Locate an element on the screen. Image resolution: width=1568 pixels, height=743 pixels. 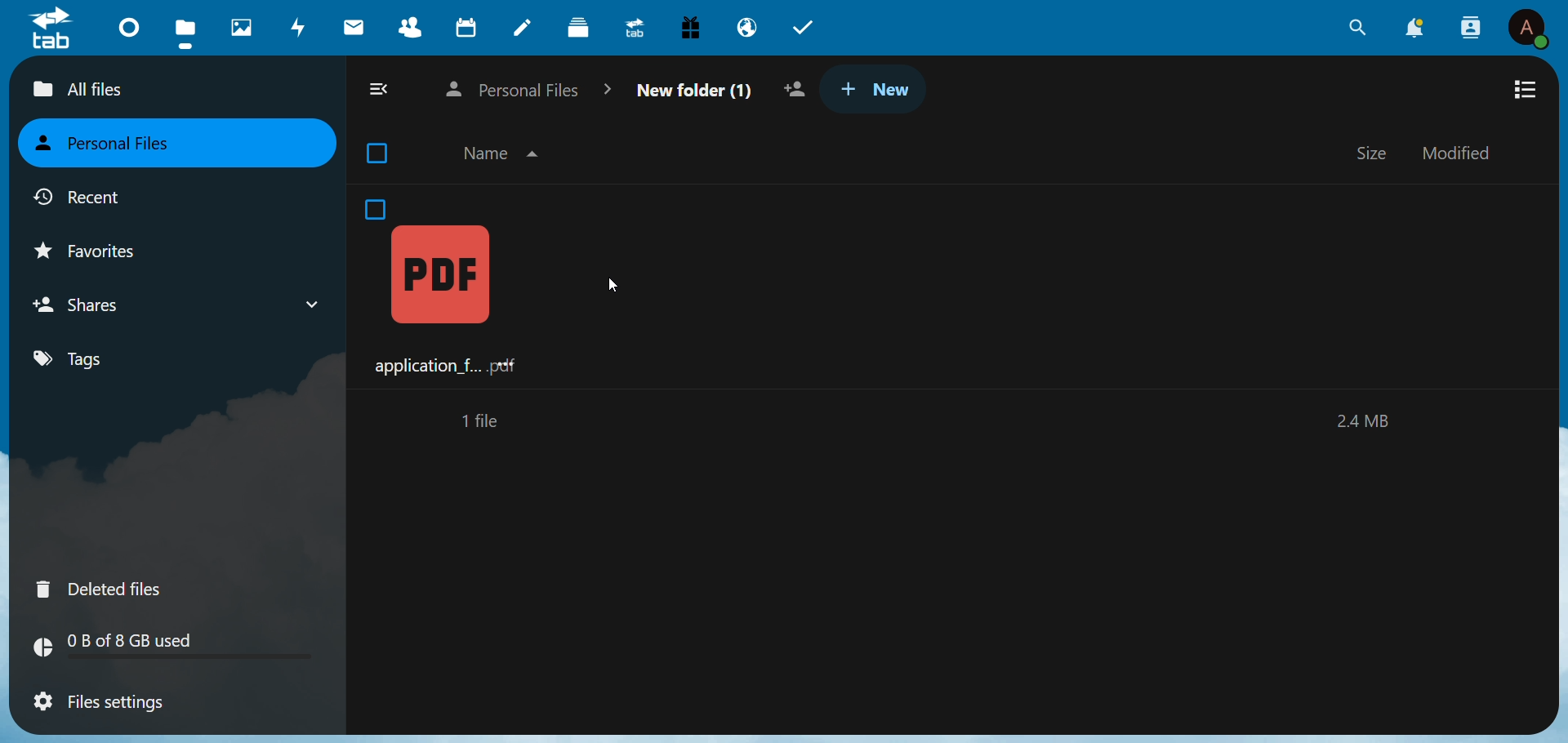
memory is located at coordinates (1366, 423).